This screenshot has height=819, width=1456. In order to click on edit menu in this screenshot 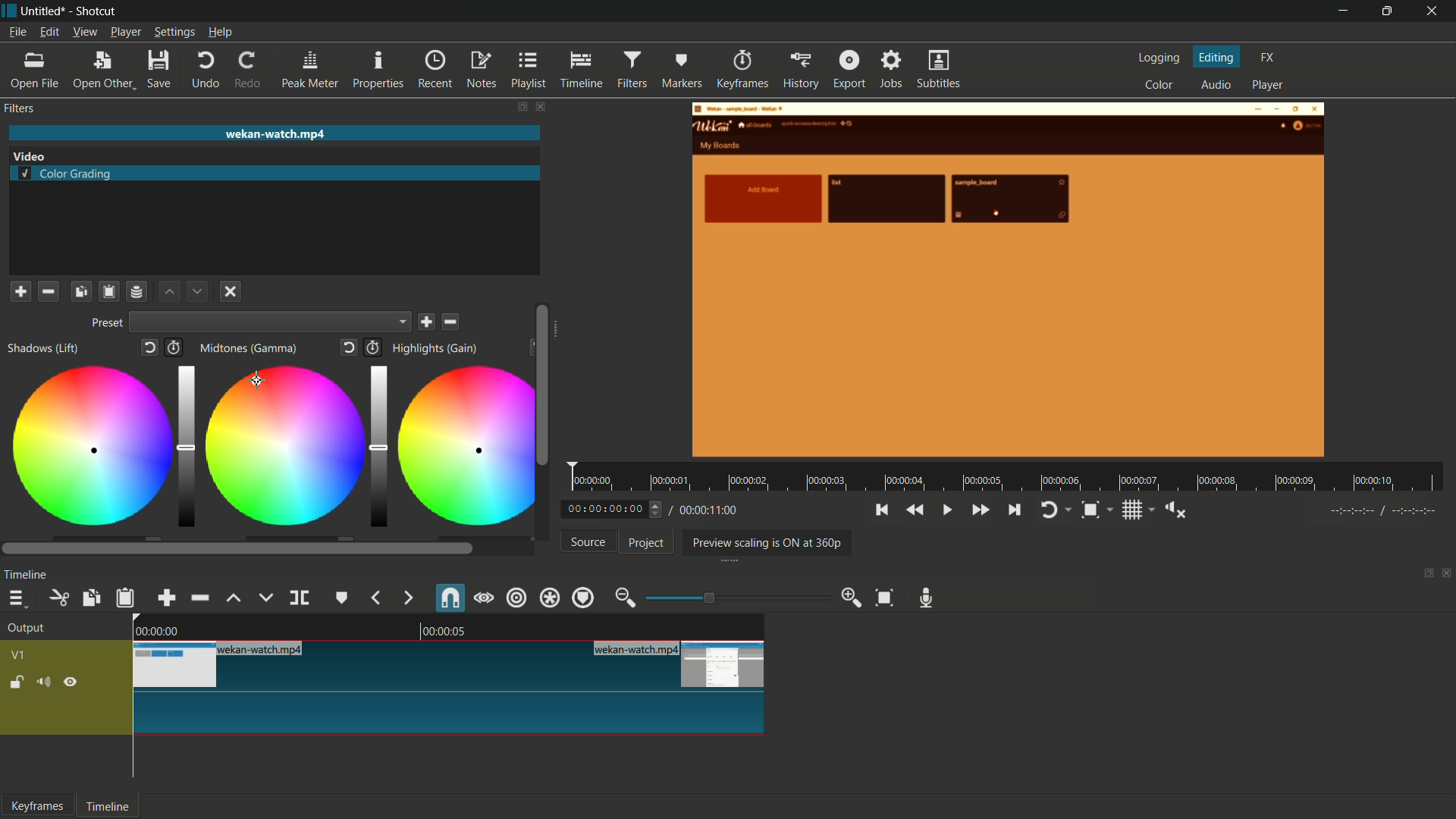, I will do `click(49, 32)`.